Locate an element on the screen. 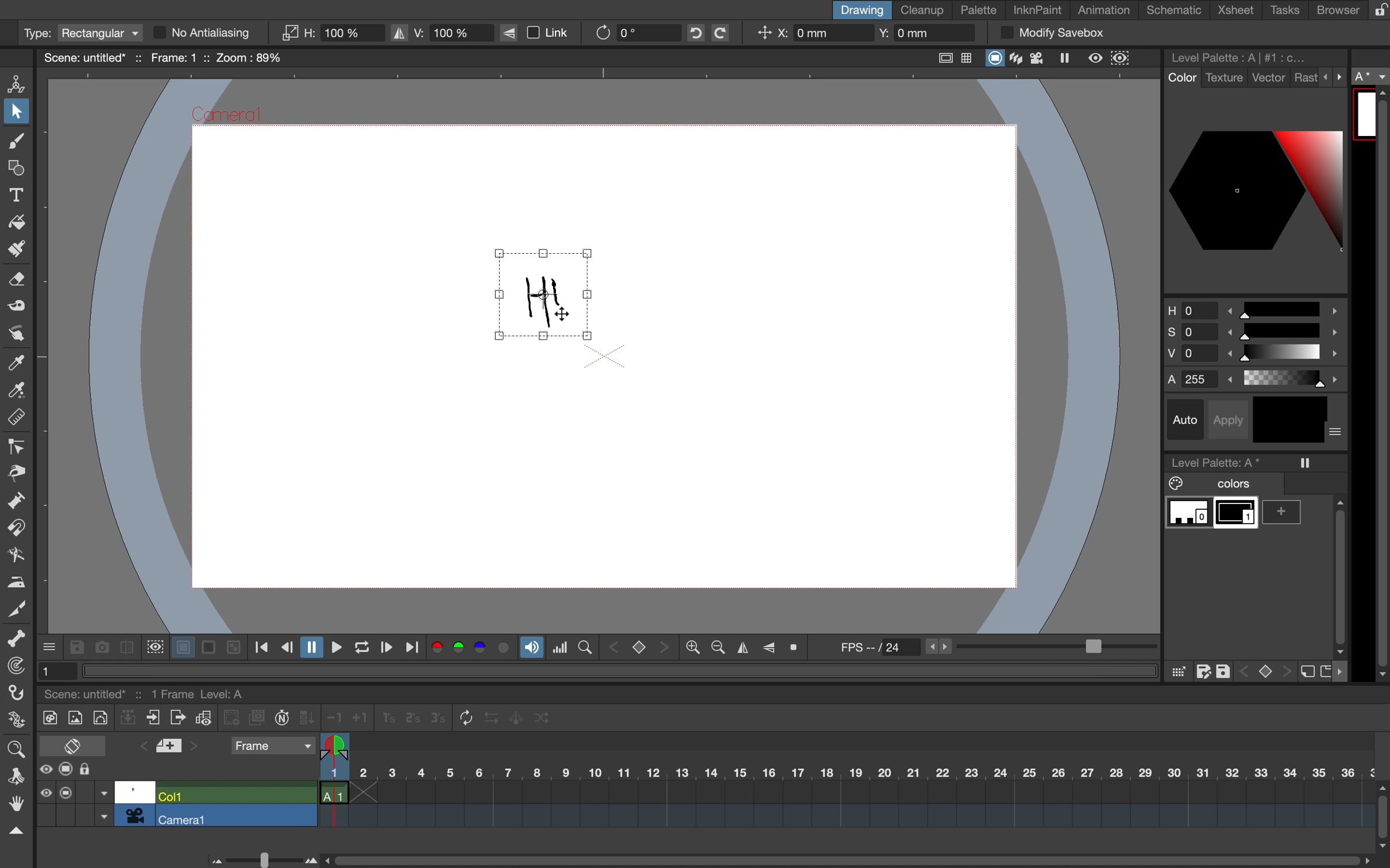 The width and height of the screenshot is (1390, 868). schematic is located at coordinates (1176, 10).